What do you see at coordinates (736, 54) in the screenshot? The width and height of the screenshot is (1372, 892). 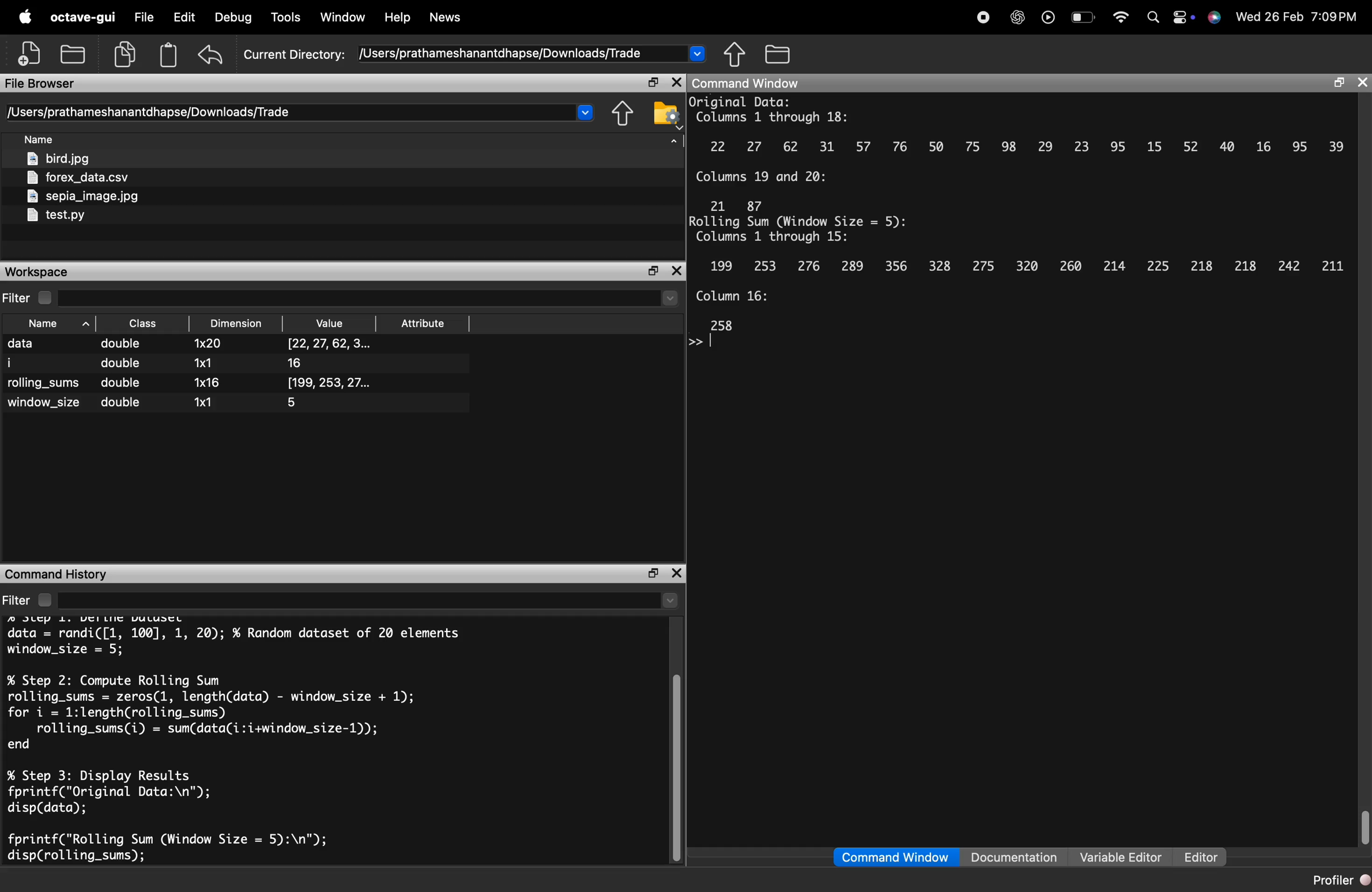 I see `one directory up` at bounding box center [736, 54].